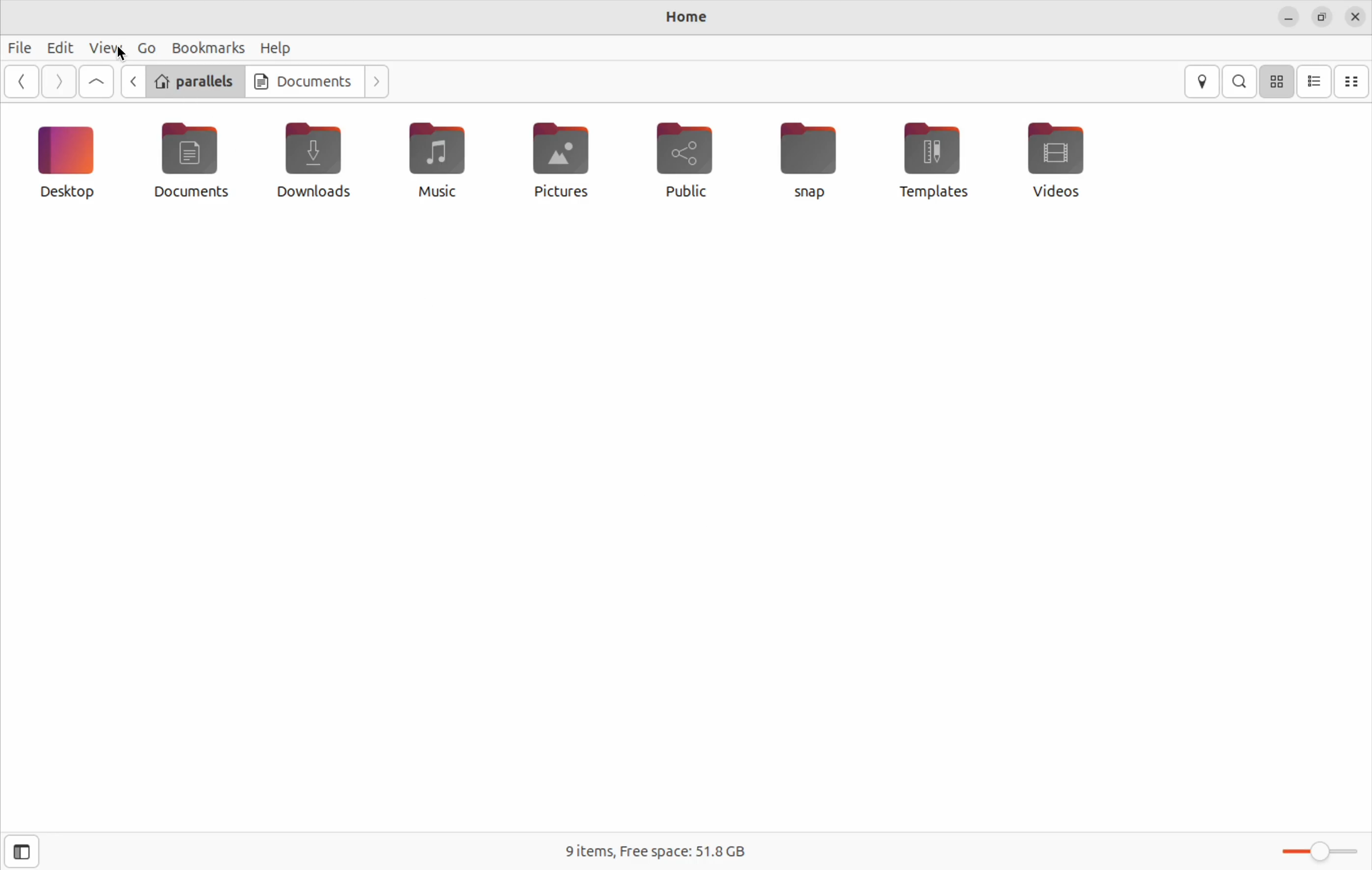 This screenshot has width=1372, height=870. Describe the element at coordinates (103, 48) in the screenshot. I see `view` at that location.